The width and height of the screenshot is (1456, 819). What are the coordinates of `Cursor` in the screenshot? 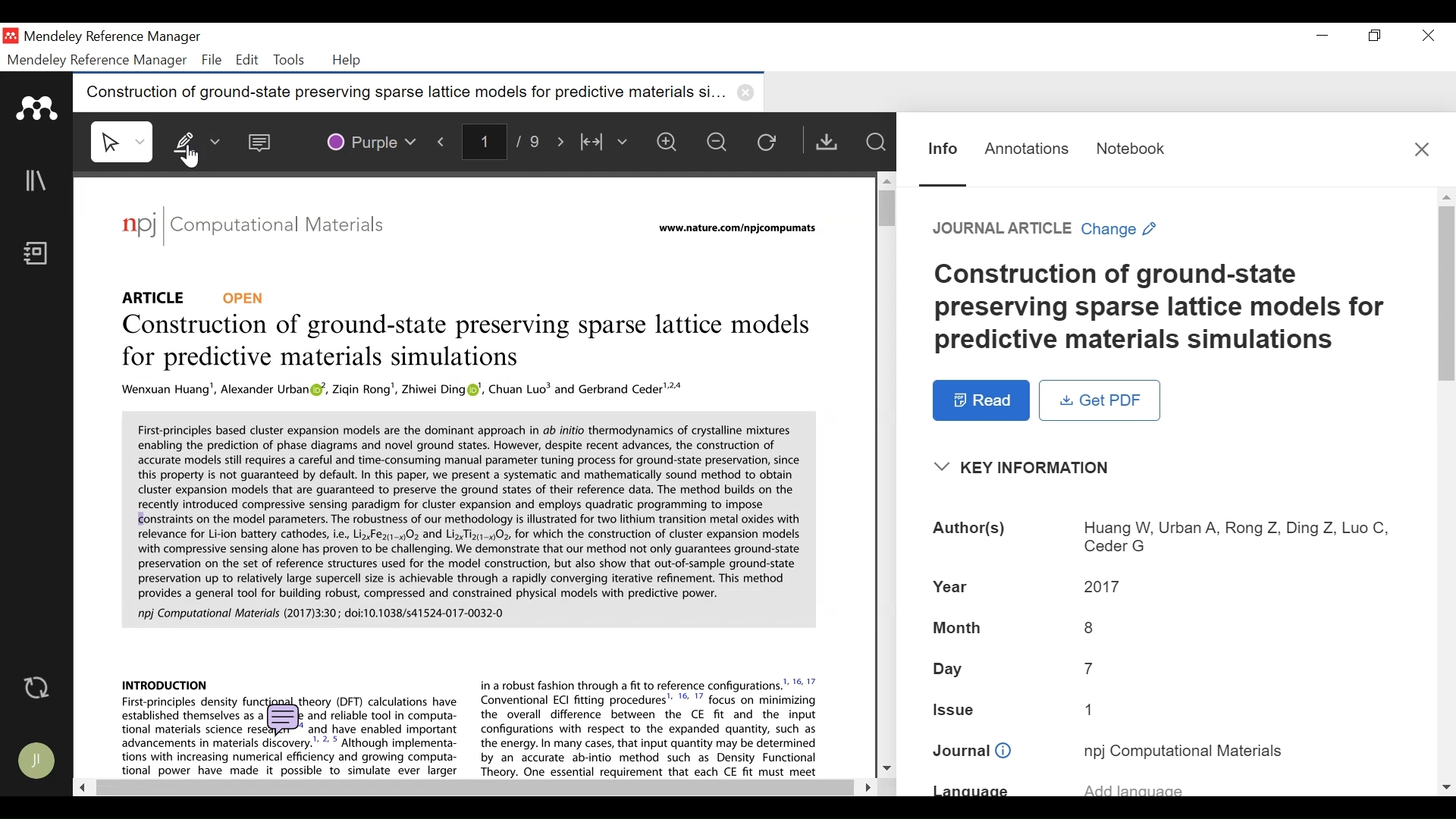 It's located at (193, 158).